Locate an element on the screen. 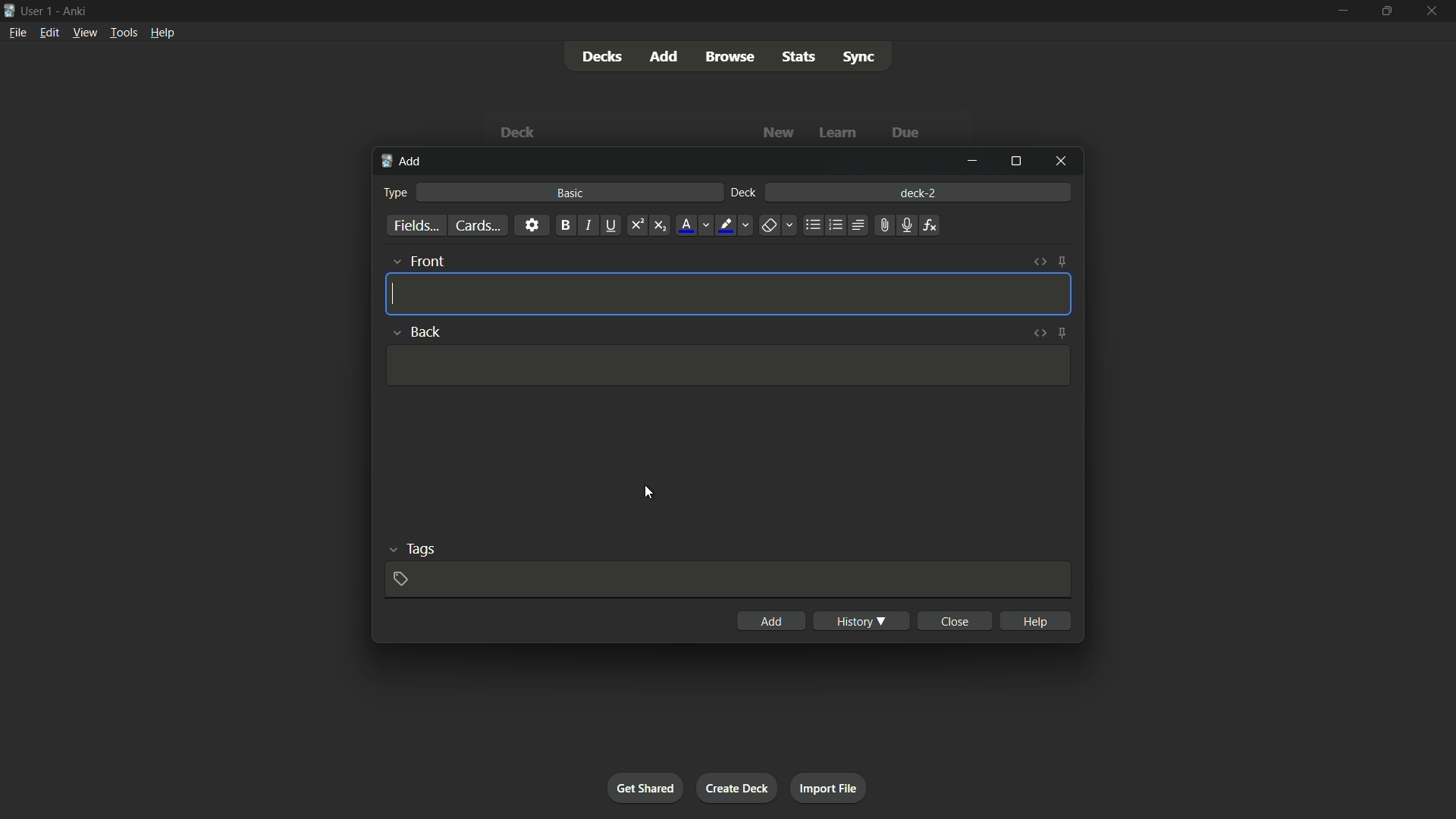 The width and height of the screenshot is (1456, 819). create  deck is located at coordinates (738, 788).